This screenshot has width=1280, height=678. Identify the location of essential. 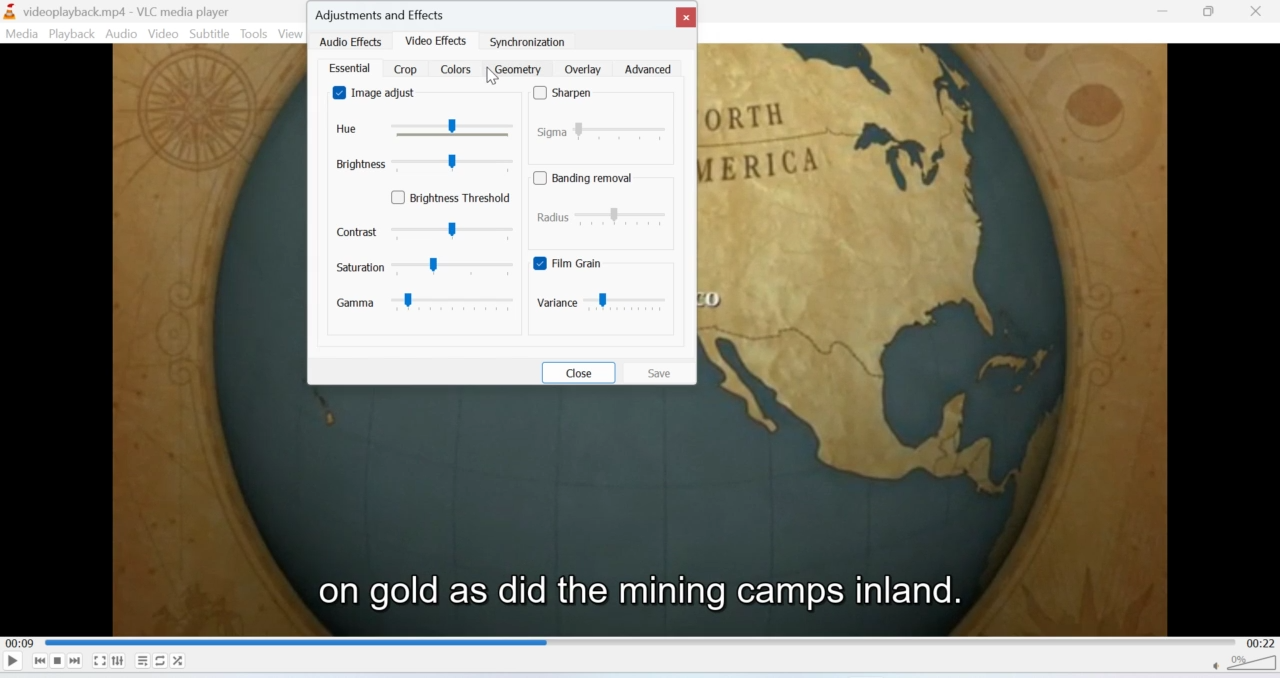
(346, 70).